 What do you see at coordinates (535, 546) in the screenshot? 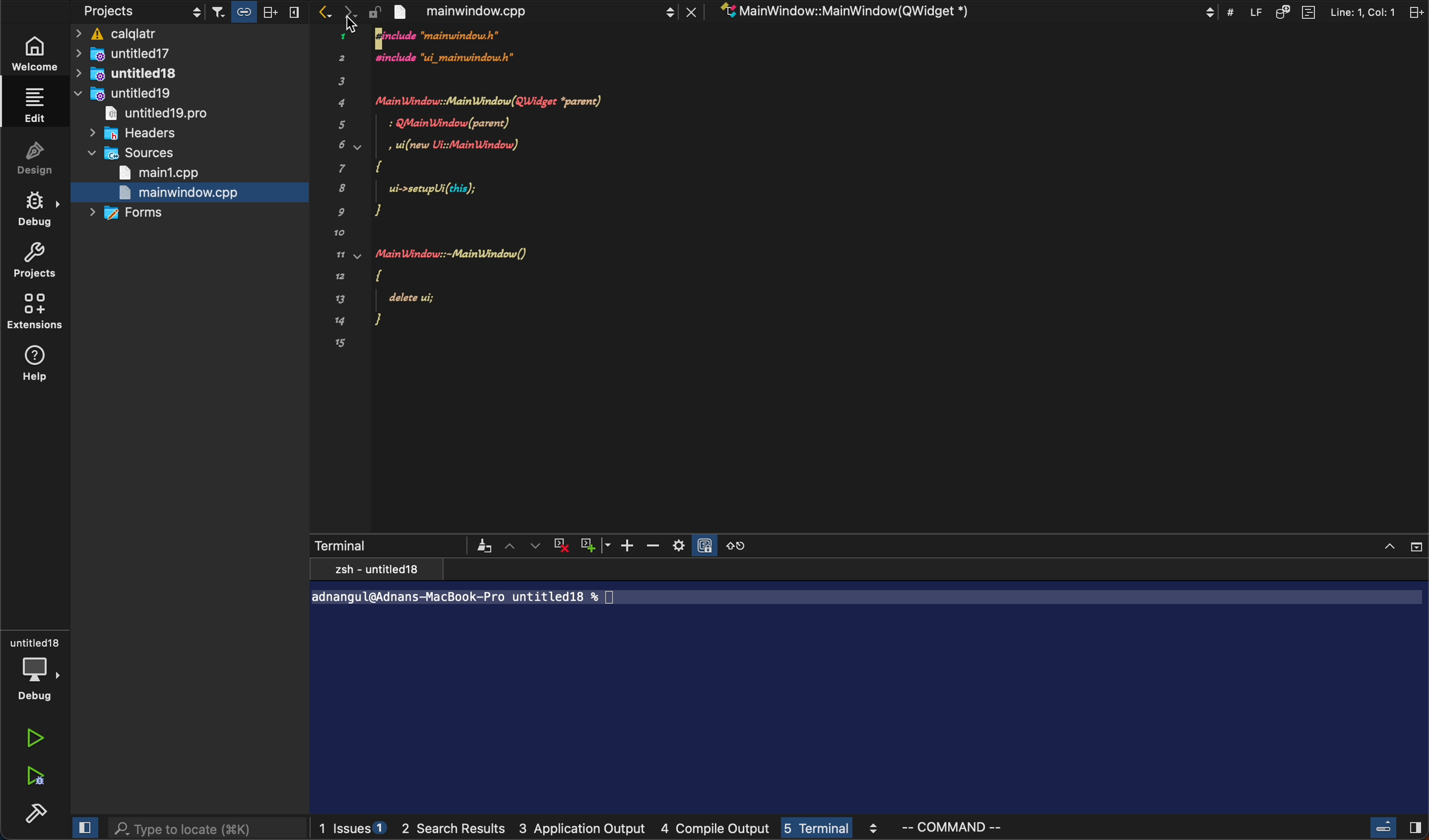
I see `arrow down` at bounding box center [535, 546].